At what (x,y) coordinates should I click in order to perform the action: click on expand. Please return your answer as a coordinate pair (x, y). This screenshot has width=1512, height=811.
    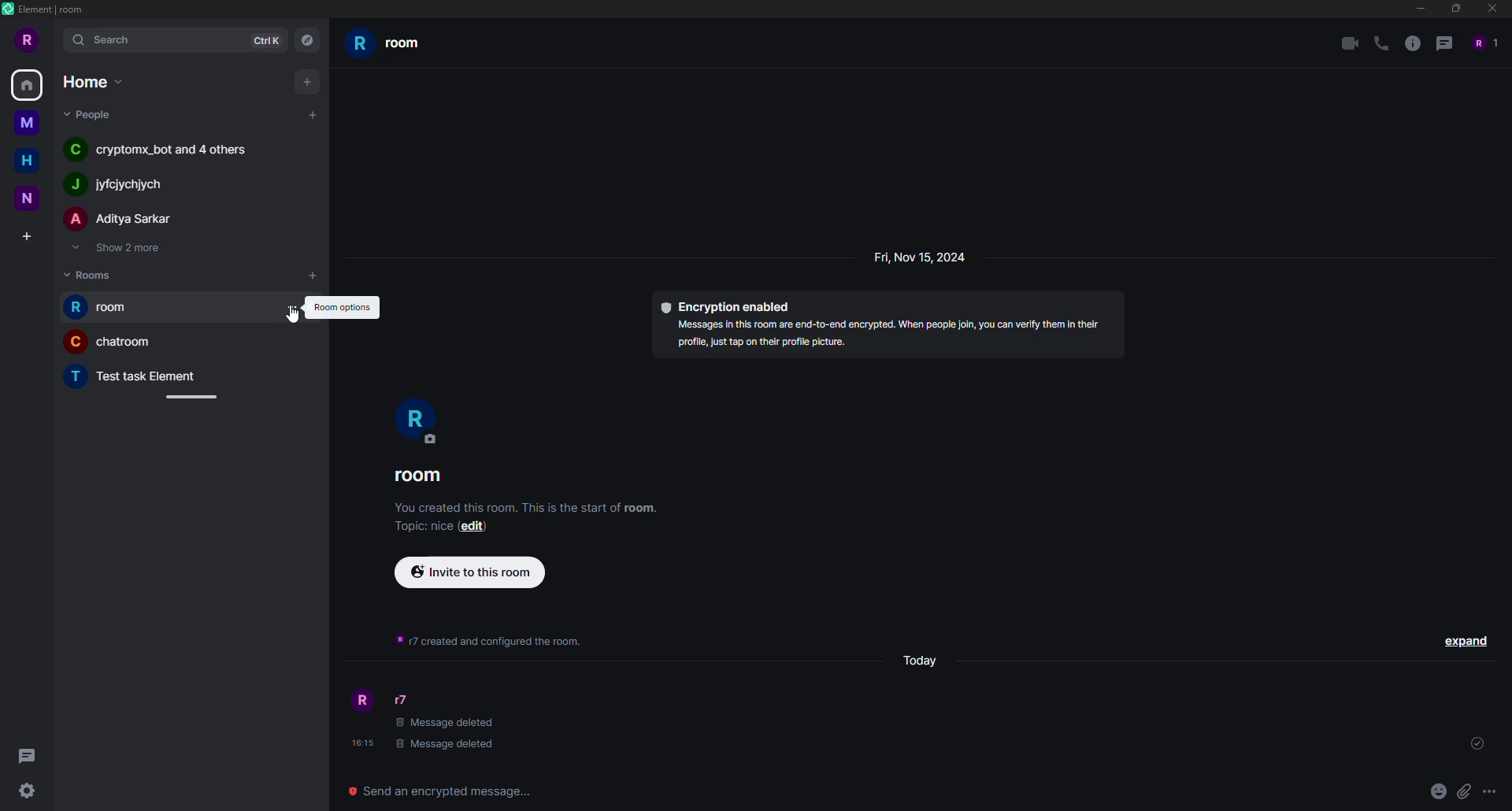
    Looking at the image, I should click on (1463, 640).